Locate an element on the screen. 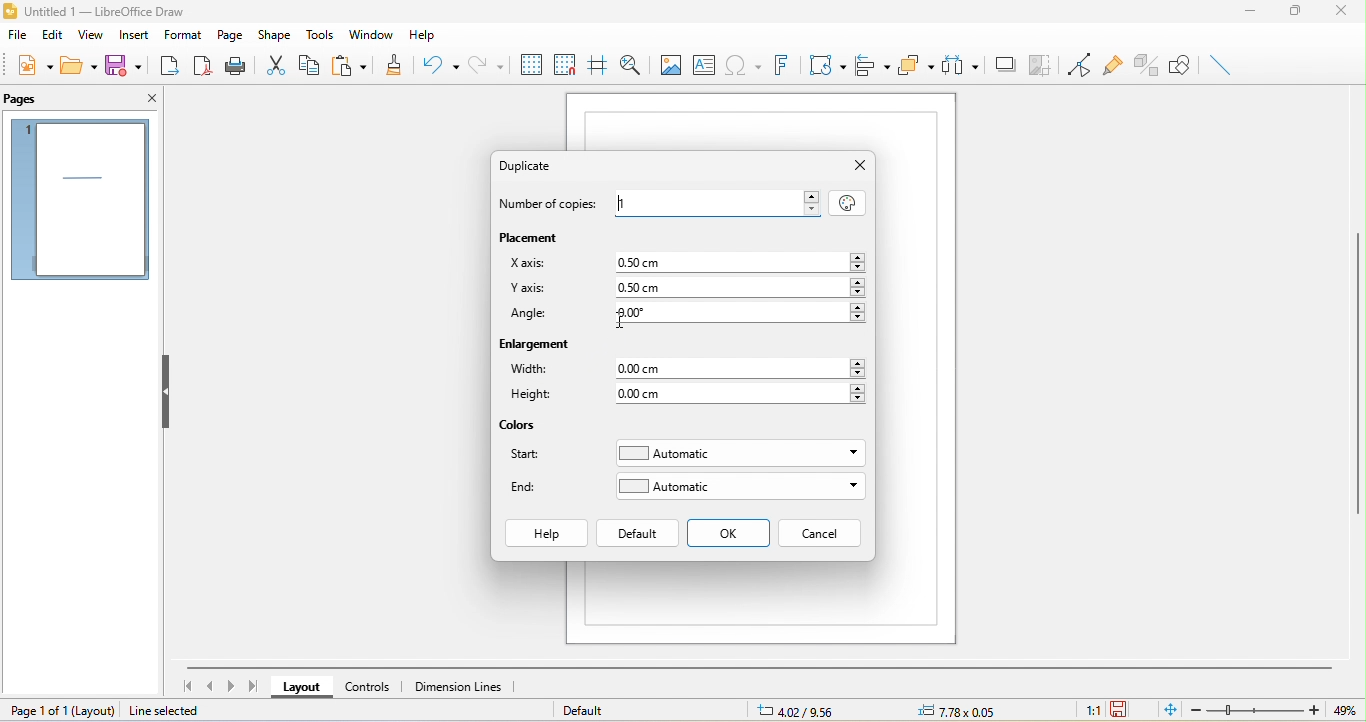 This screenshot has height=722, width=1366. start is located at coordinates (532, 458).